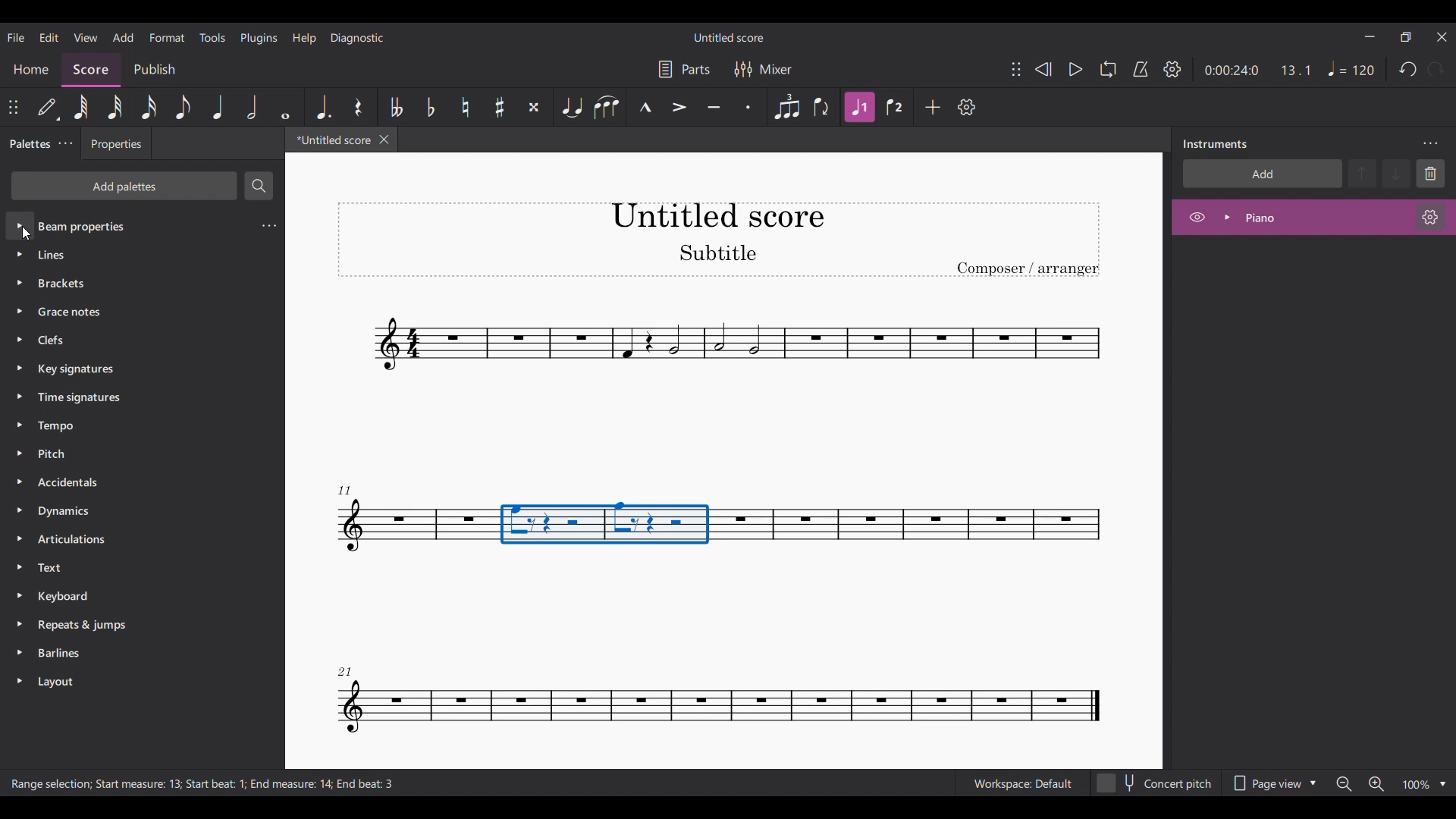  Describe the element at coordinates (136, 280) in the screenshot. I see `Brackets` at that location.